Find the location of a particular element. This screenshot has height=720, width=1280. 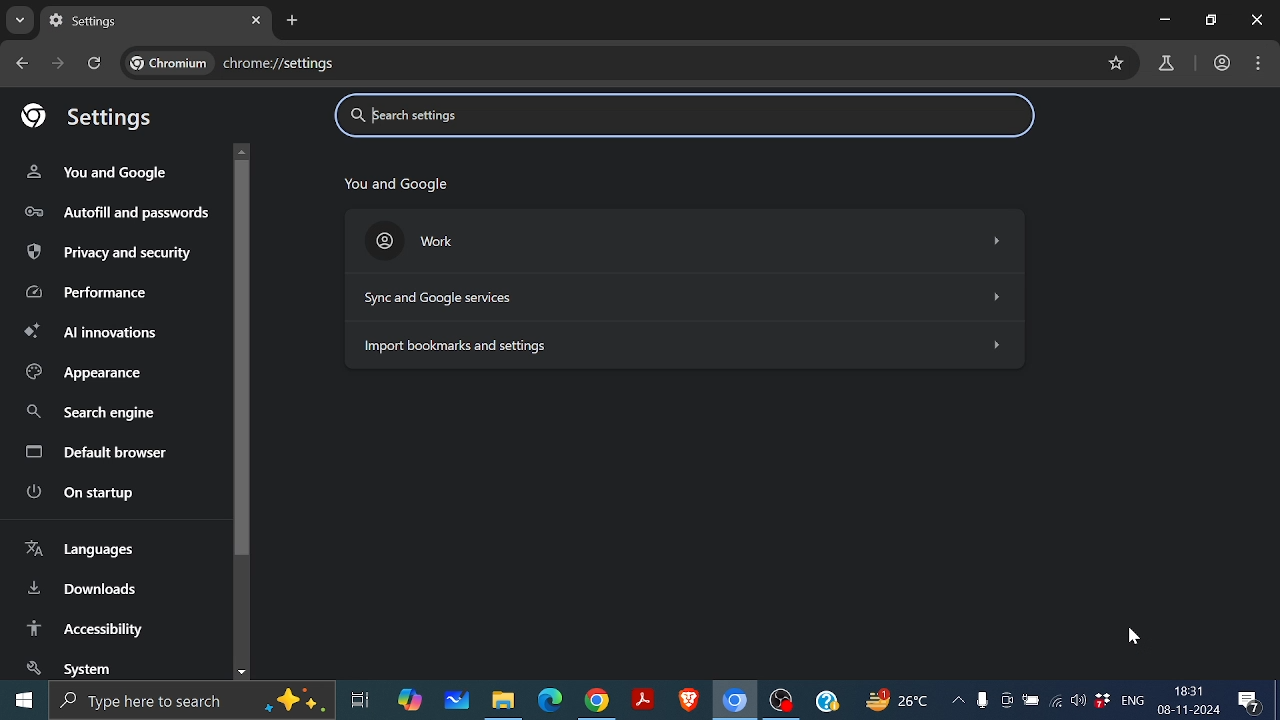

connection is located at coordinates (1056, 704).